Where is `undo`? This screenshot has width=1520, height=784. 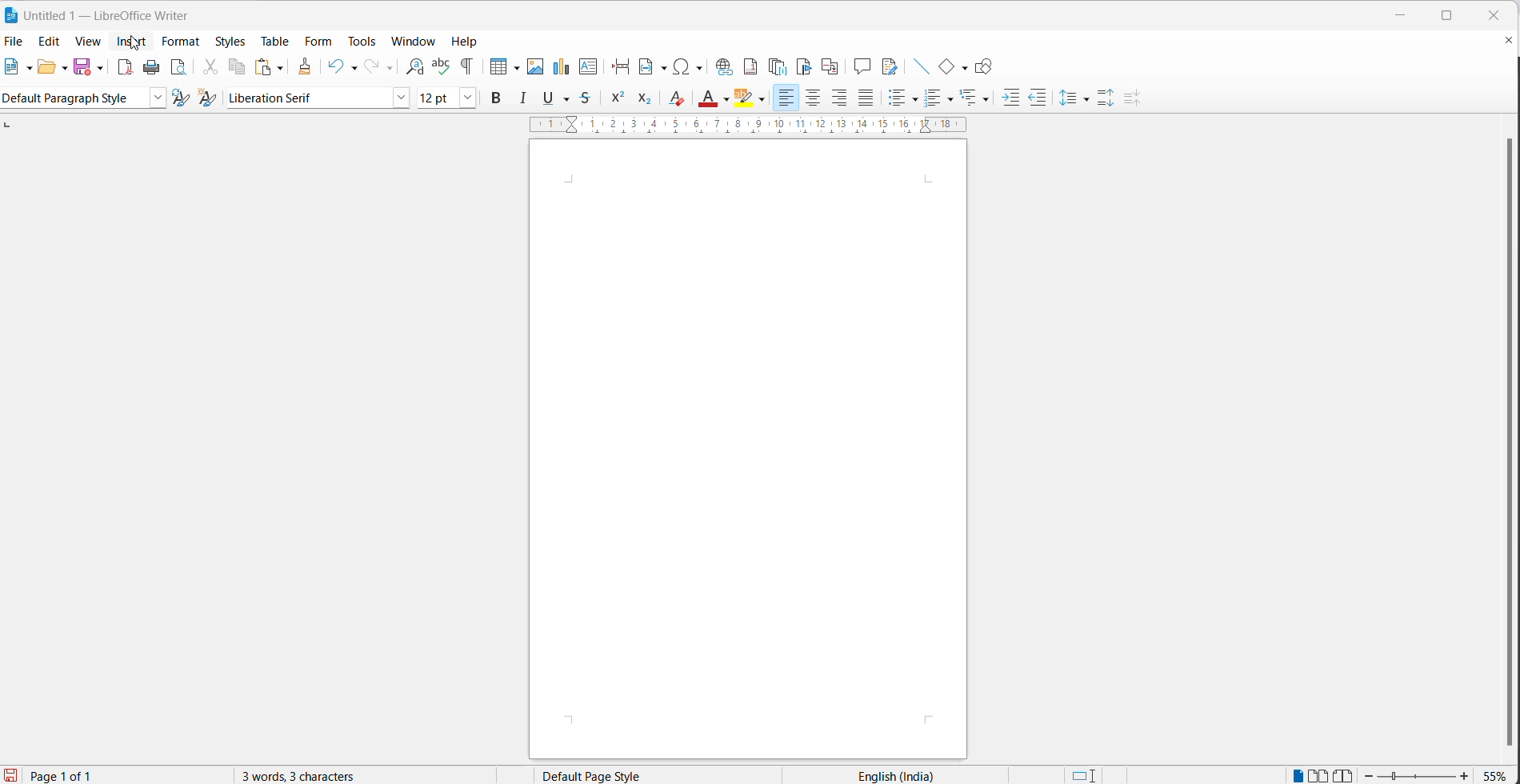 undo is located at coordinates (333, 66).